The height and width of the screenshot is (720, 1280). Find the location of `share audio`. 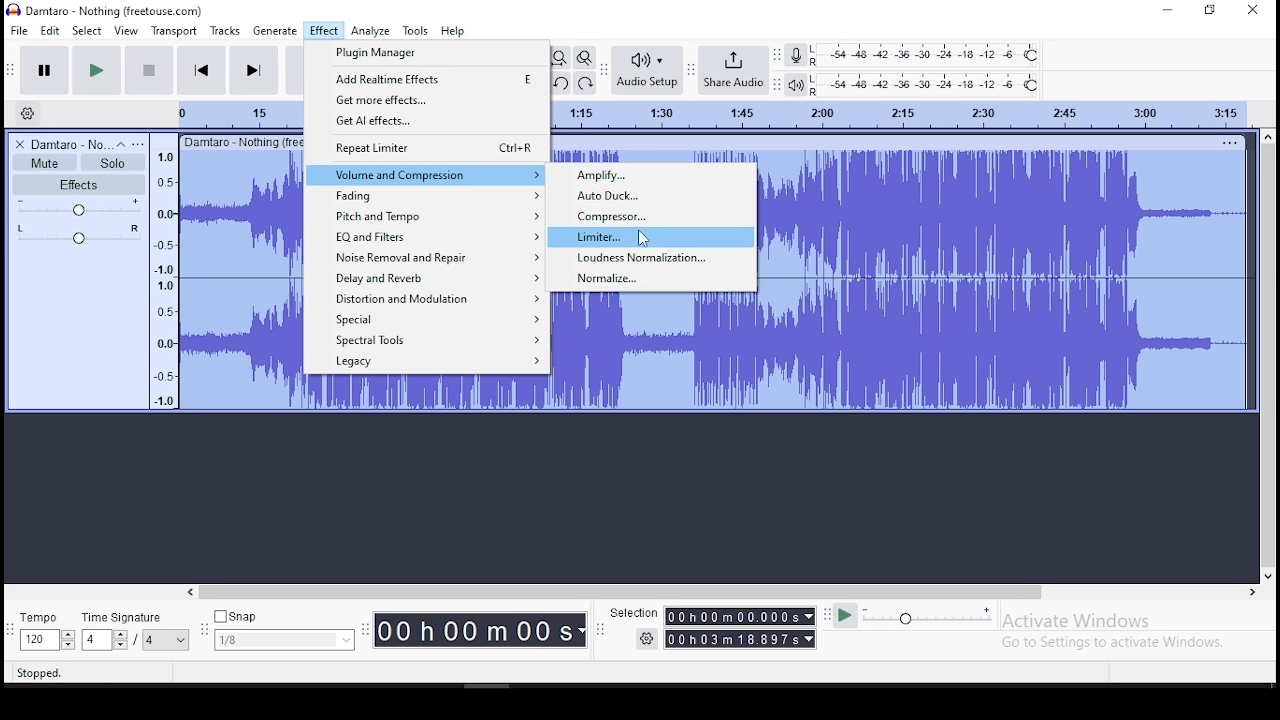

share audio is located at coordinates (734, 68).